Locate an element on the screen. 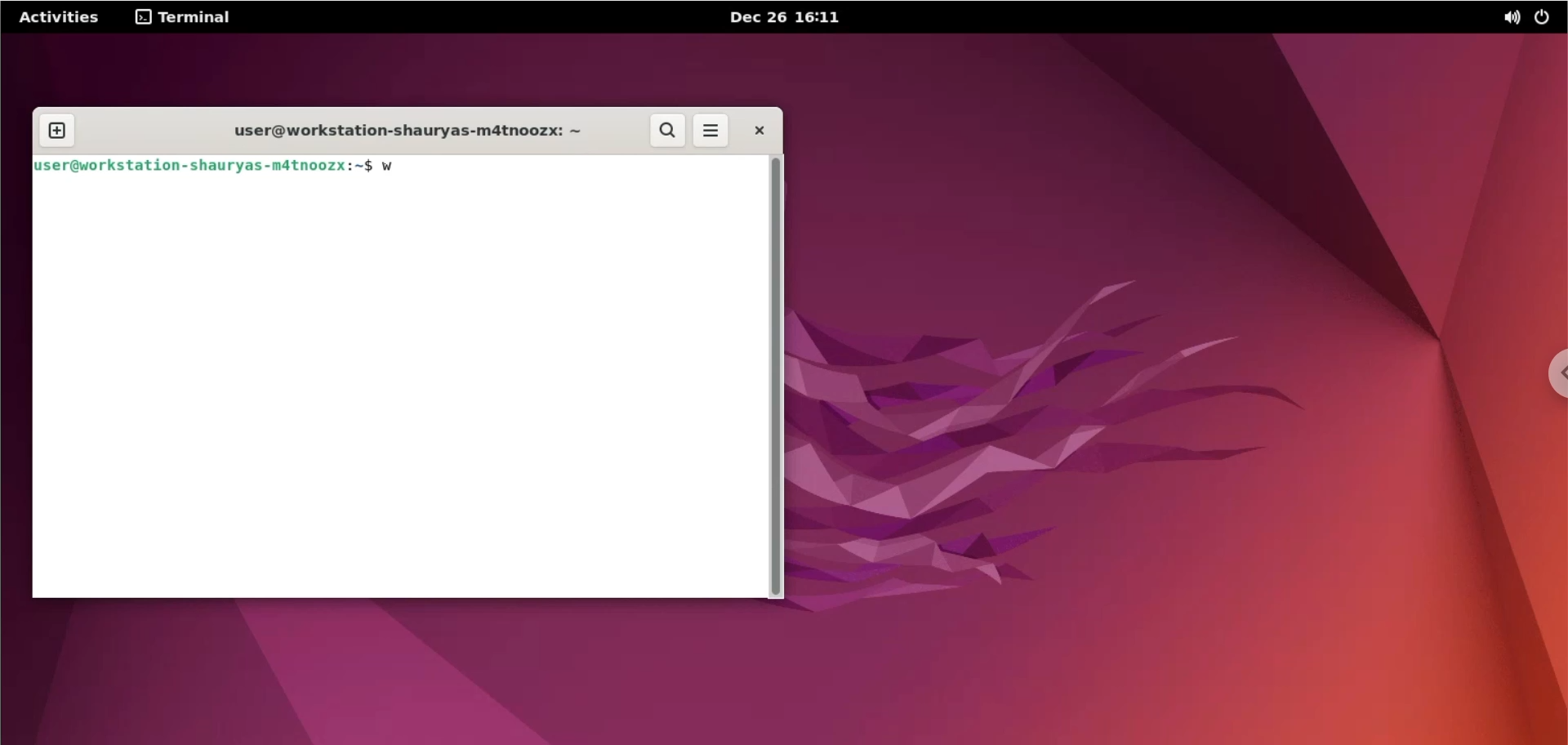 This screenshot has height=745, width=1568. power options is located at coordinates (1549, 18).